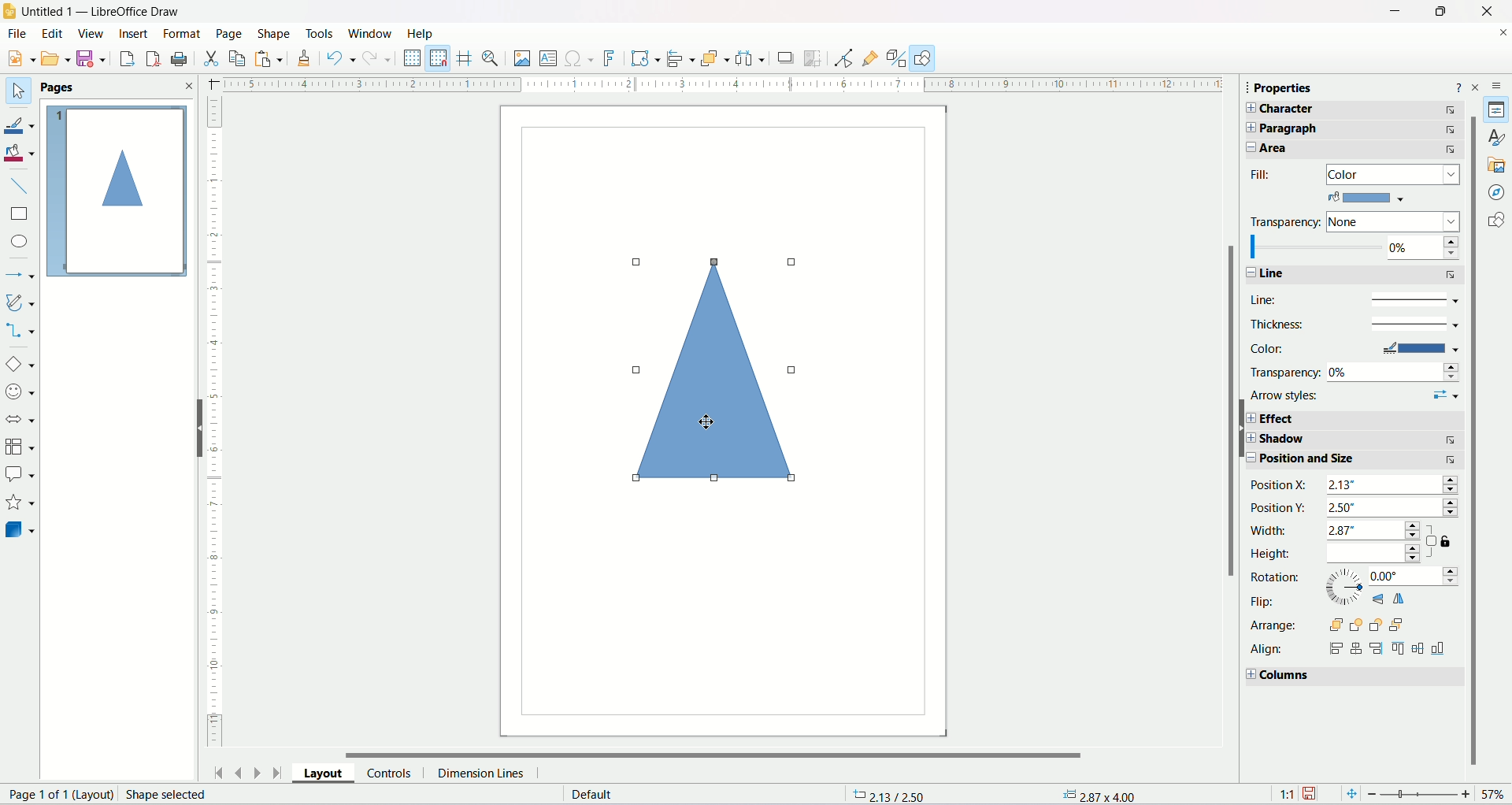  Describe the element at coordinates (20, 154) in the screenshot. I see `Fill Color` at that location.